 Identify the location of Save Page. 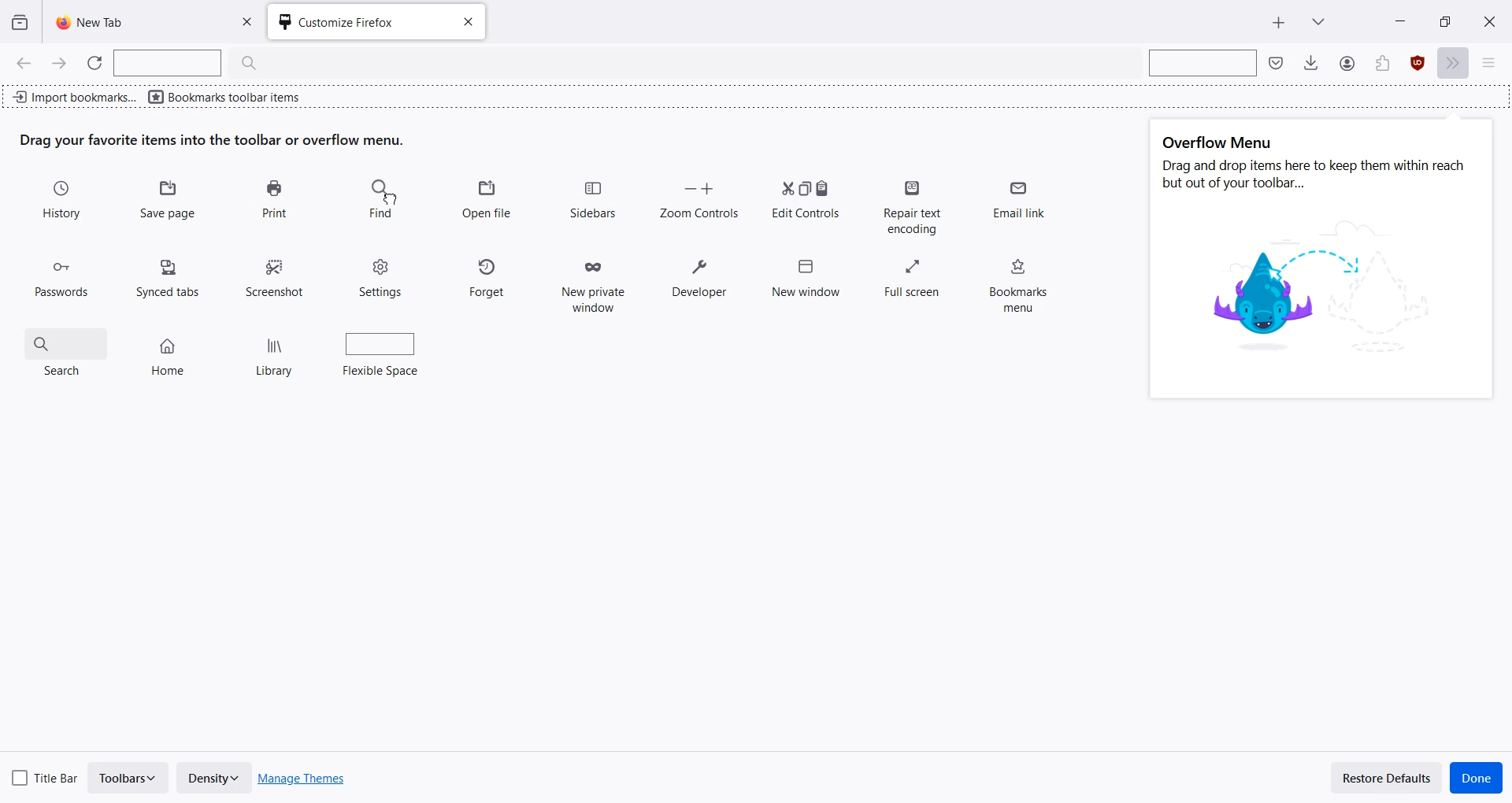
(170, 201).